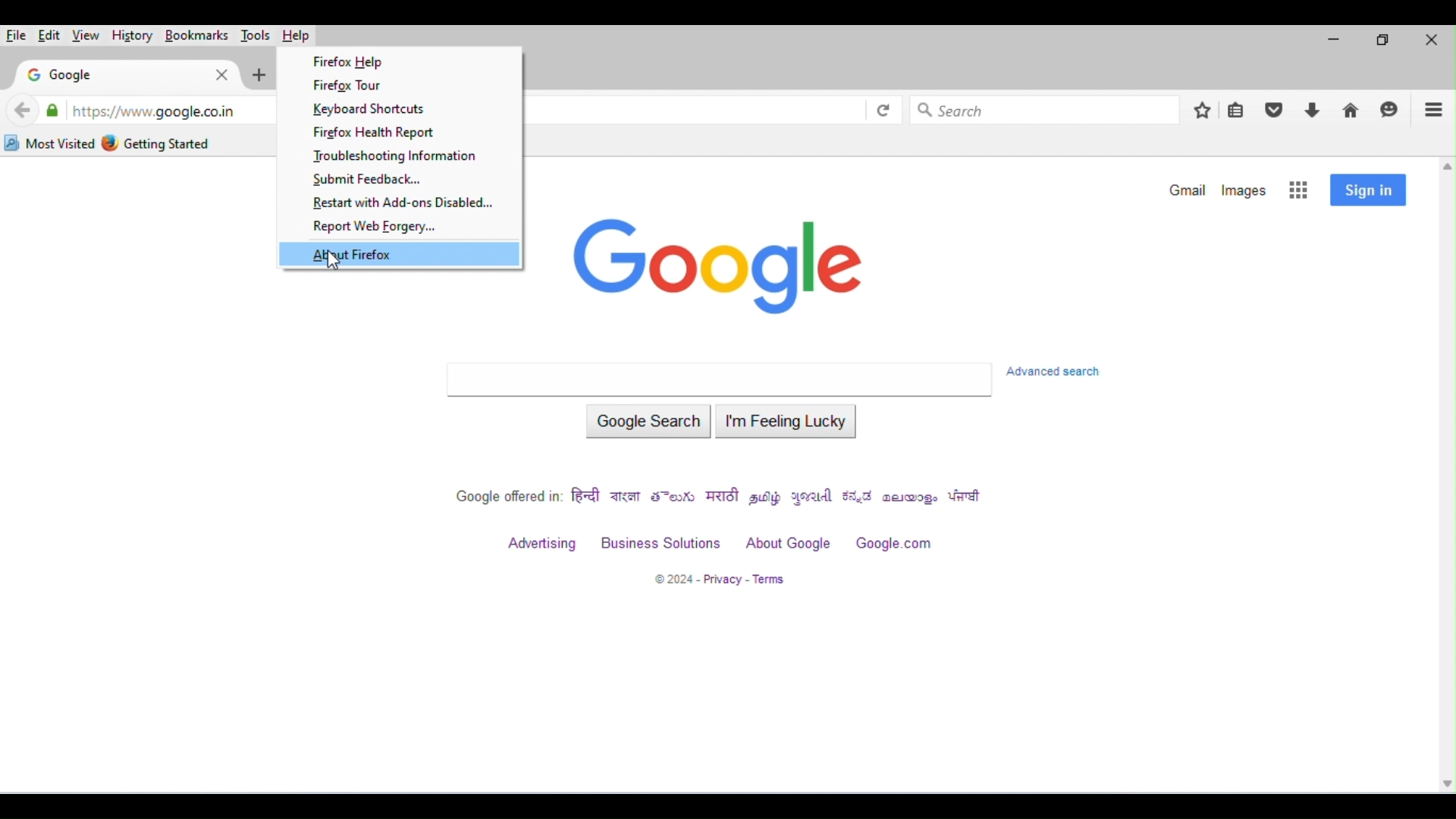 This screenshot has width=1456, height=819. I want to click on keyboard shortcuts, so click(374, 110).